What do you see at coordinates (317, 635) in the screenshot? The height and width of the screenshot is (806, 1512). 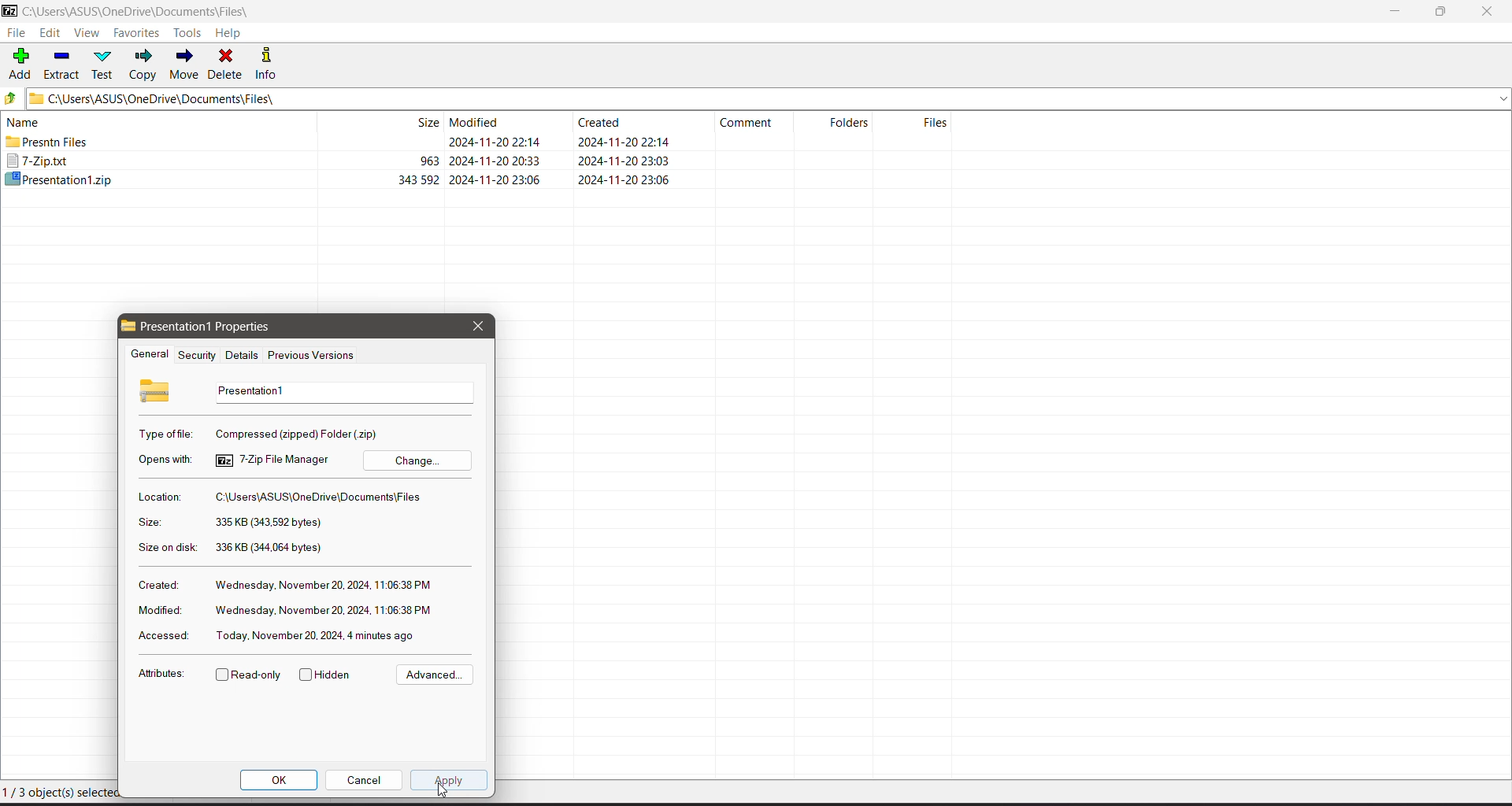 I see `Accessed Day, Date, Year and time` at bounding box center [317, 635].